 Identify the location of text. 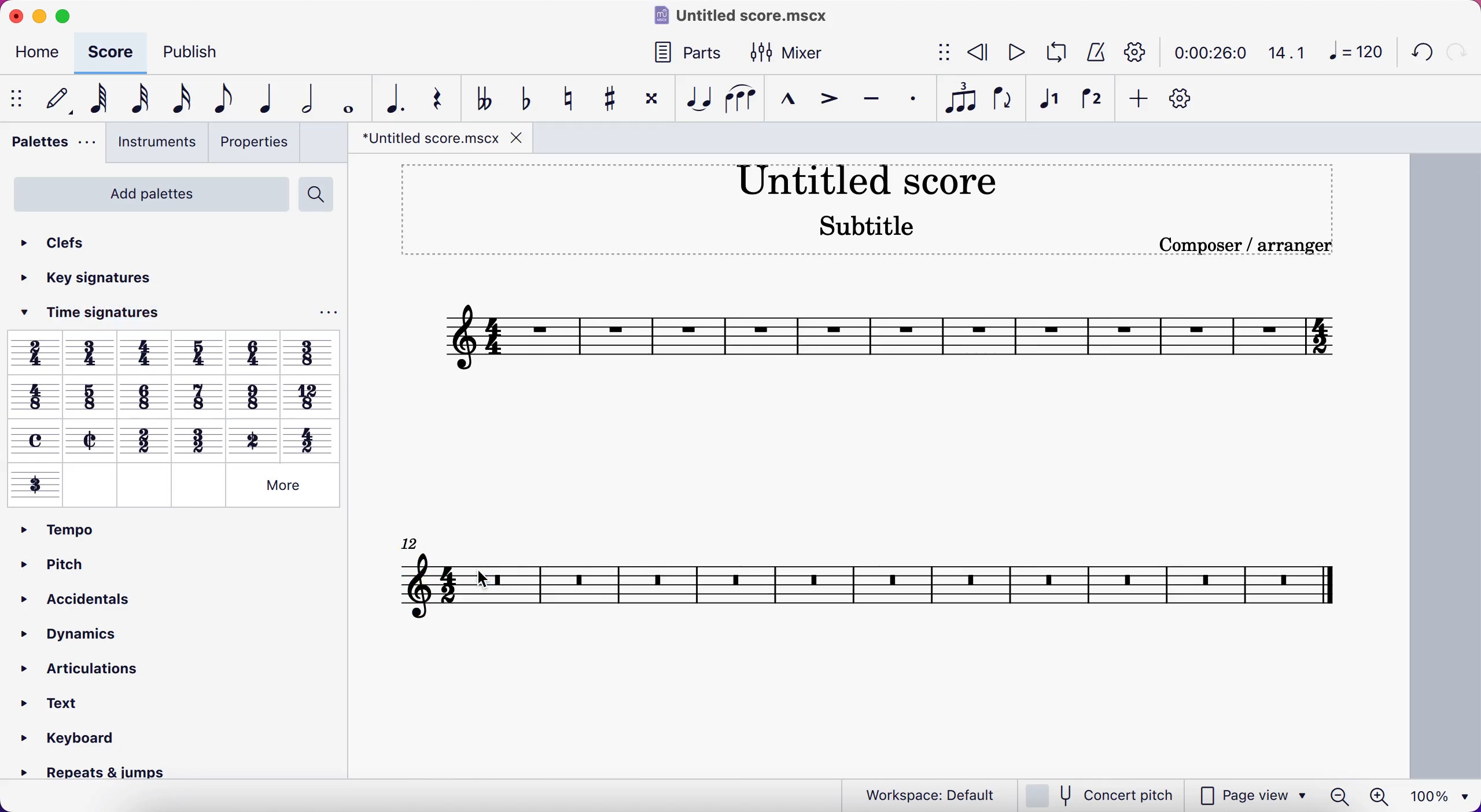
(57, 701).